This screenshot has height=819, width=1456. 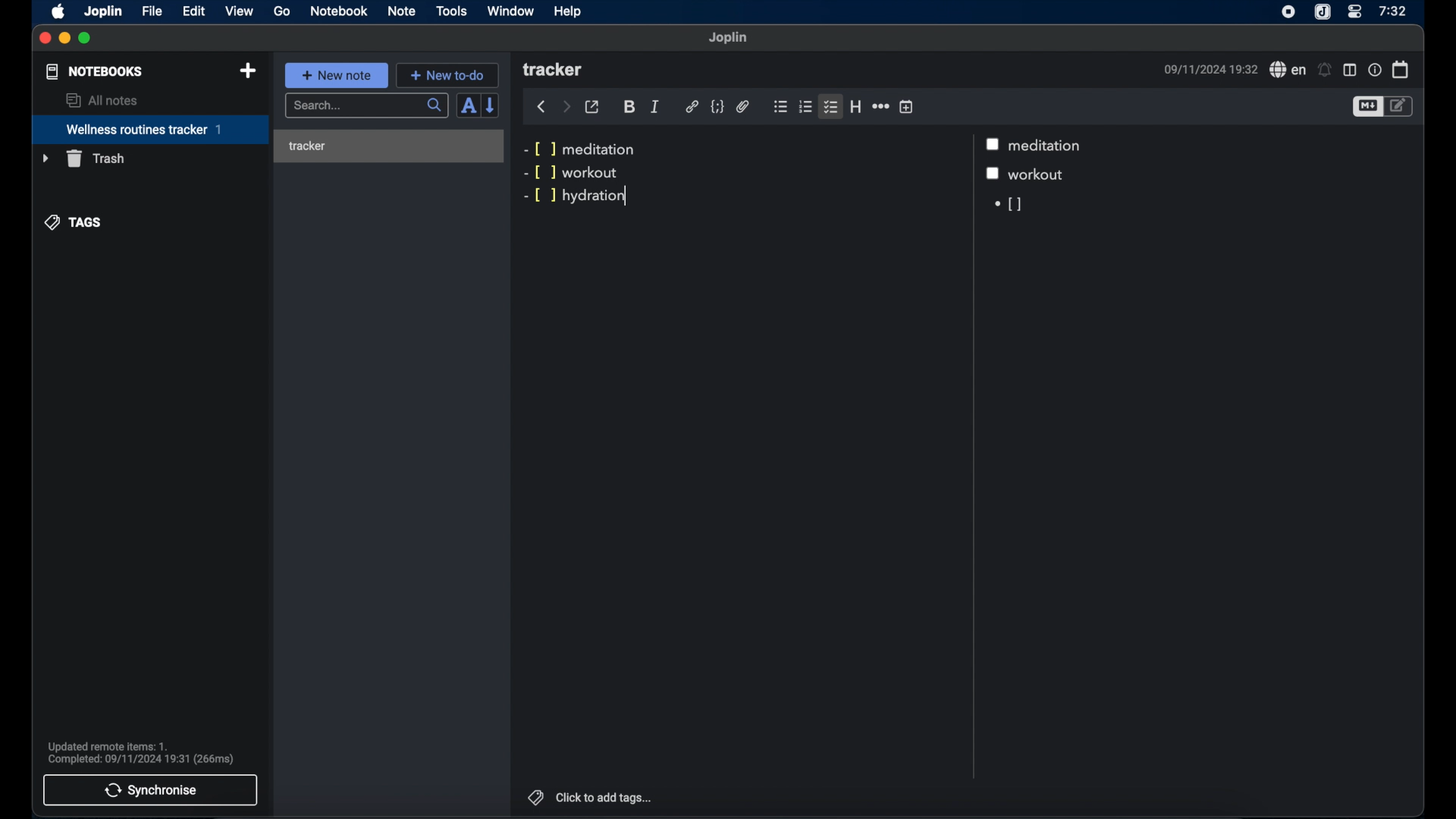 What do you see at coordinates (468, 105) in the screenshot?
I see `toggle sort order field` at bounding box center [468, 105].